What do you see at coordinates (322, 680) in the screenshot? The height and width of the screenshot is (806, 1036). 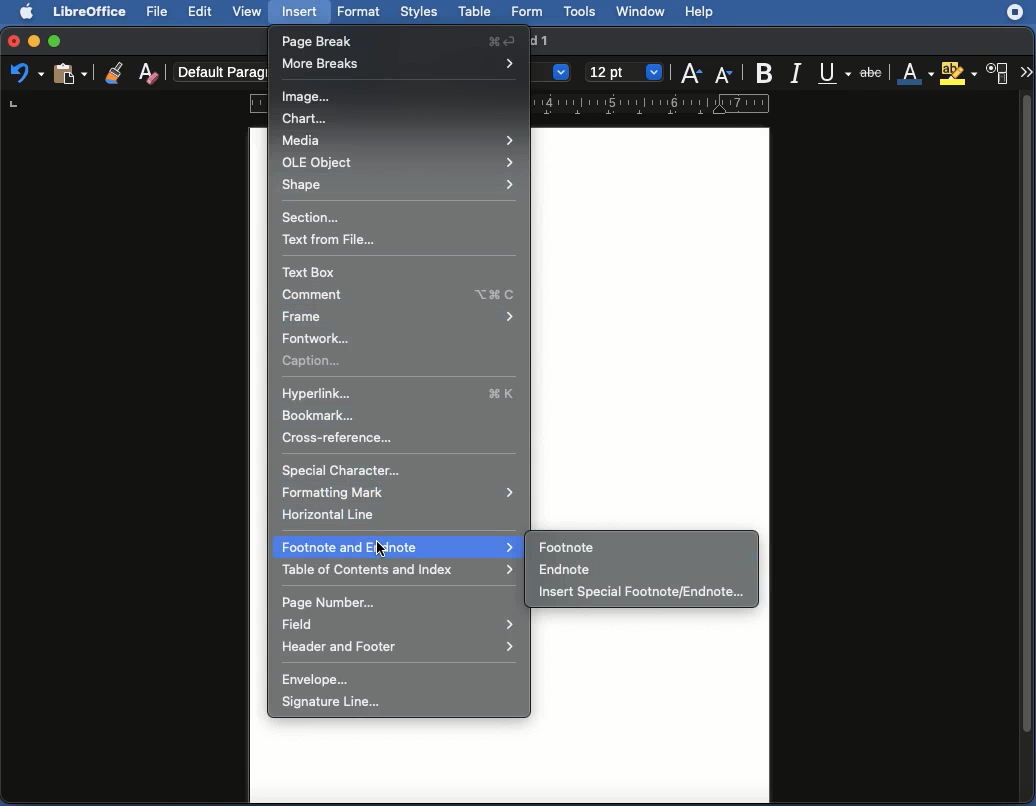 I see `Envelope ` at bounding box center [322, 680].